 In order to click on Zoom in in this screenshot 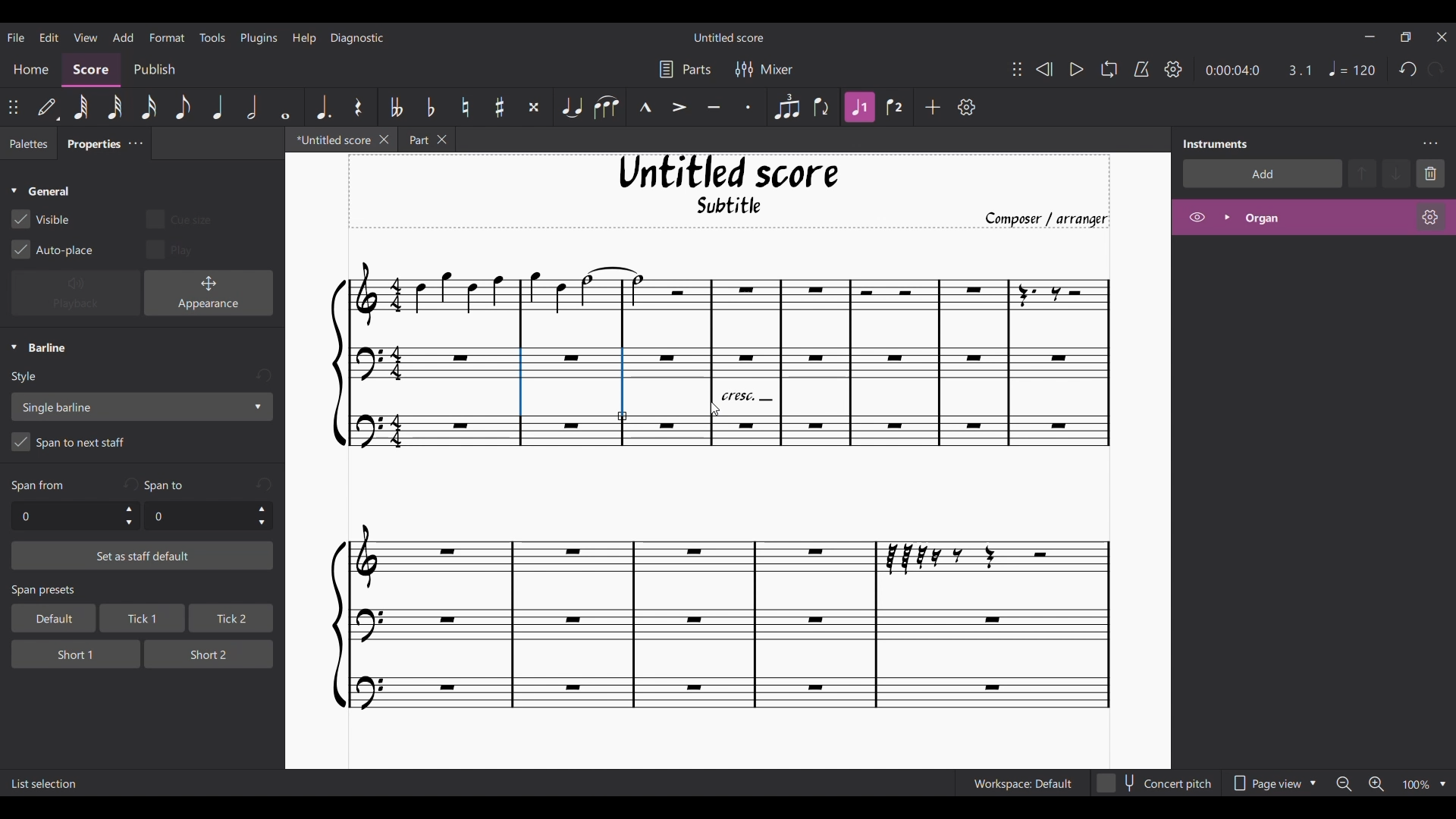, I will do `click(1376, 785)`.